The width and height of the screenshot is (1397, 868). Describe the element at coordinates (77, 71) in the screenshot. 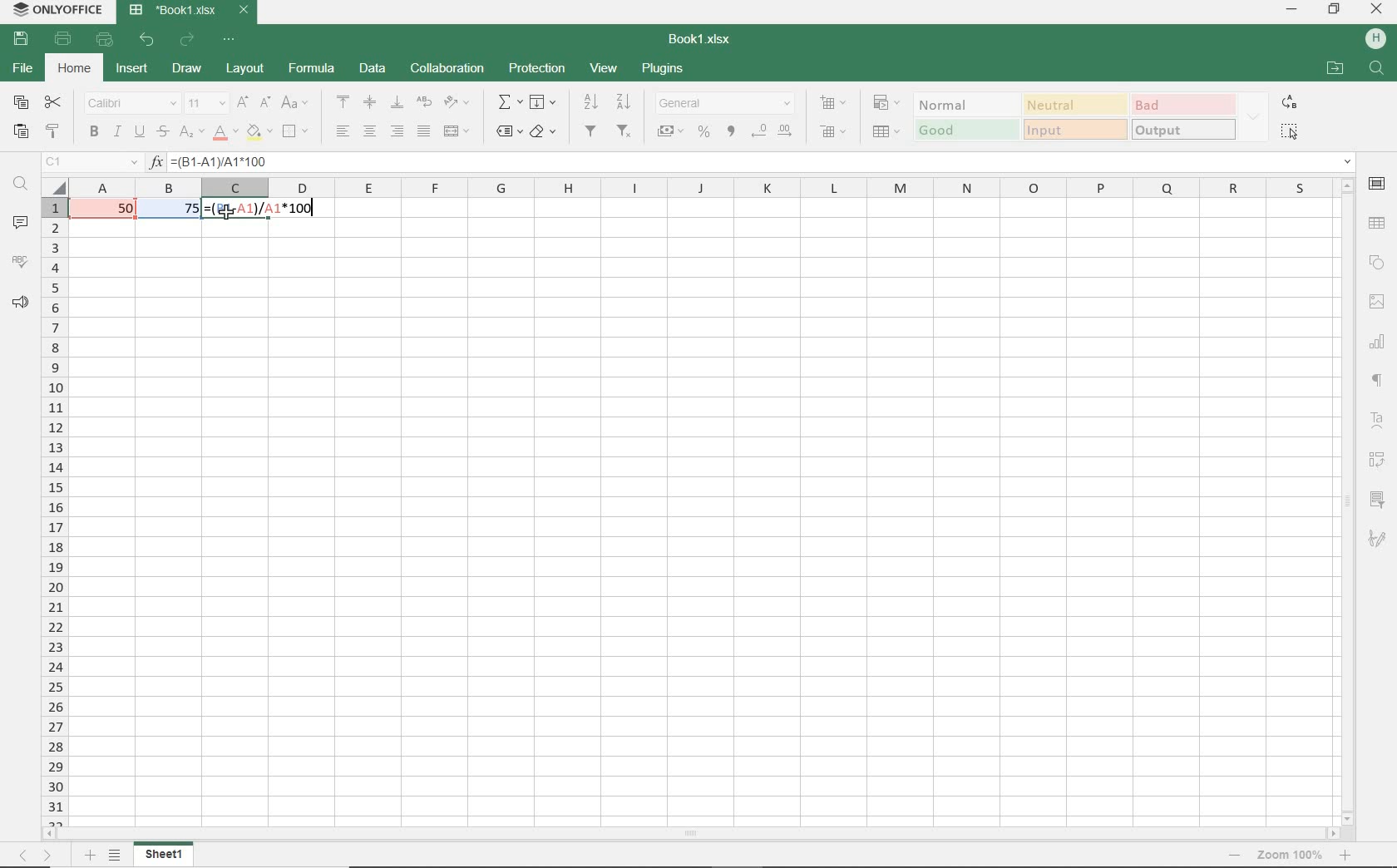

I see `home` at that location.